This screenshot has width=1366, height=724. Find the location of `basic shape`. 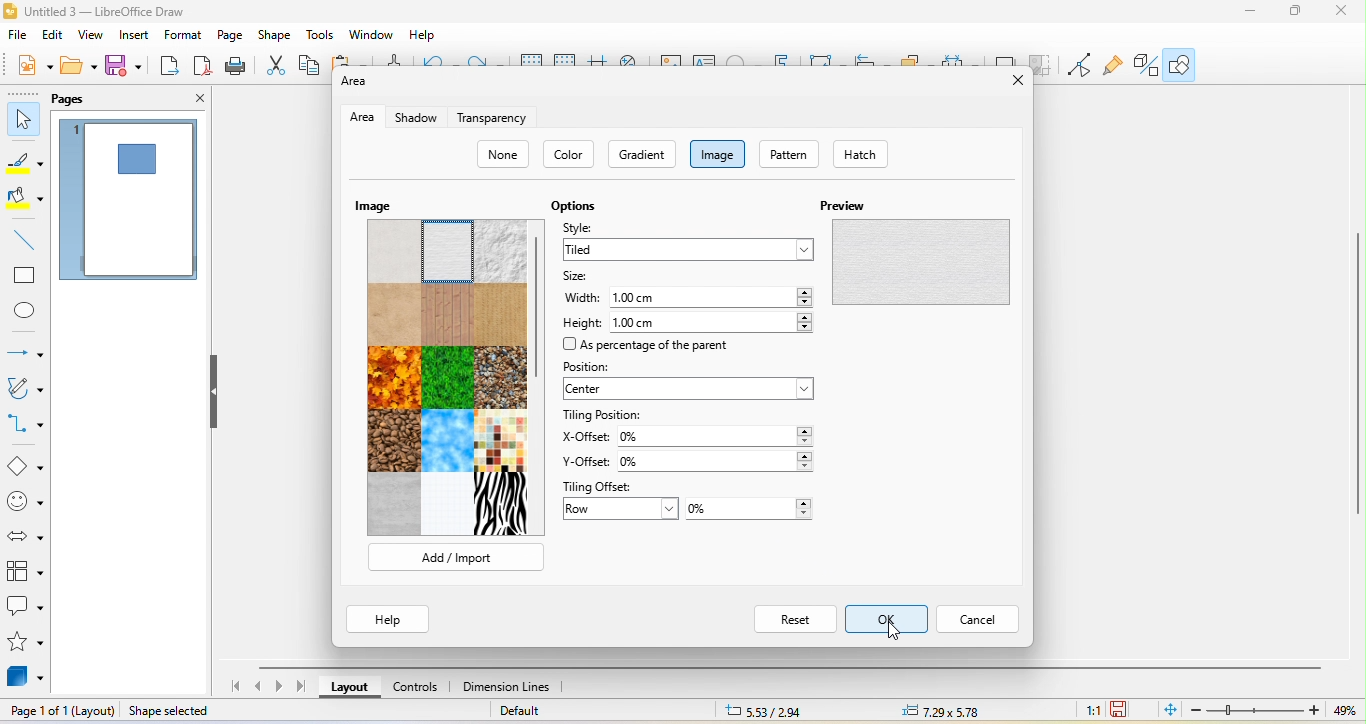

basic shape is located at coordinates (24, 464).